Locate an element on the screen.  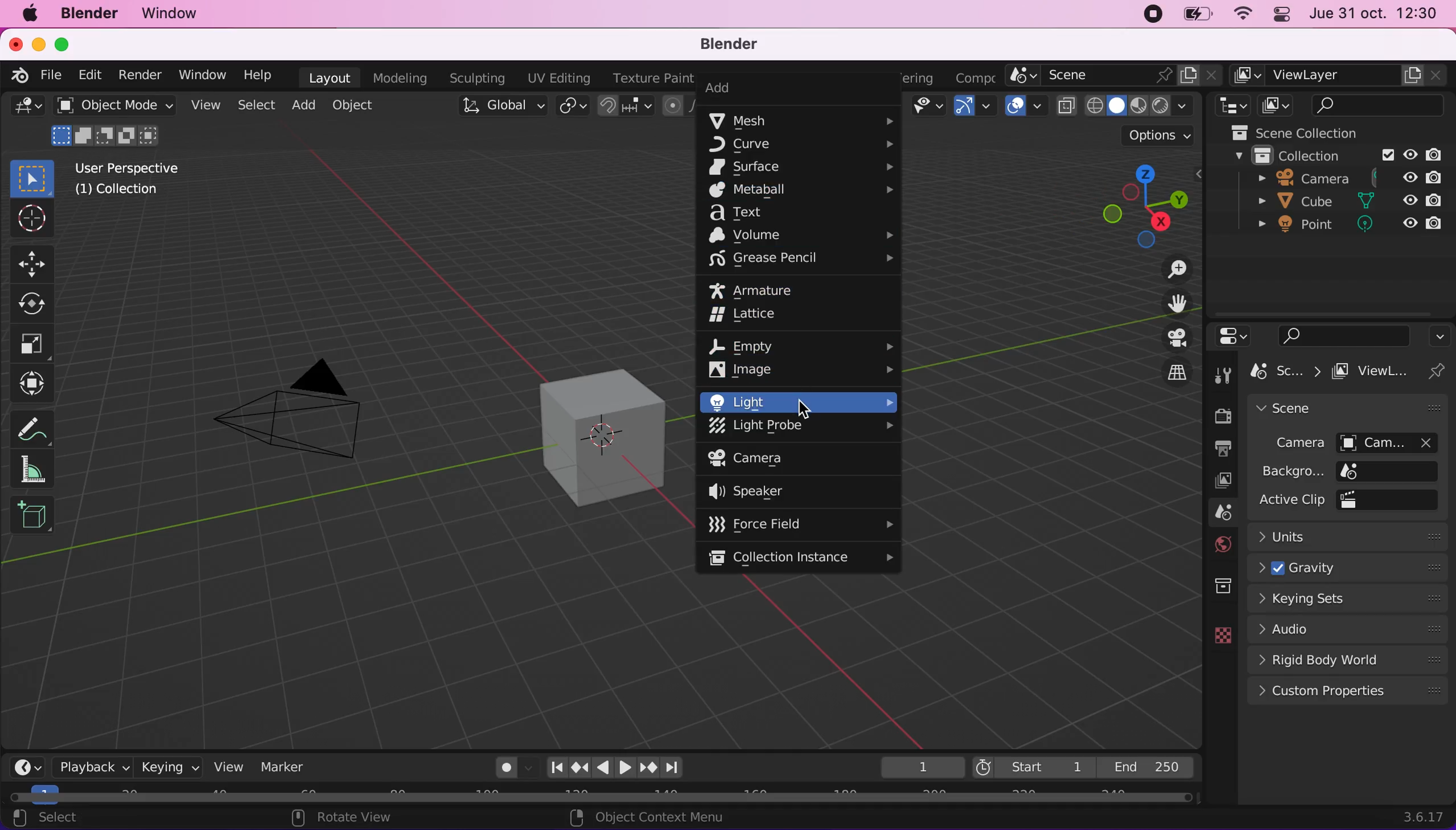
empty is located at coordinates (804, 345).